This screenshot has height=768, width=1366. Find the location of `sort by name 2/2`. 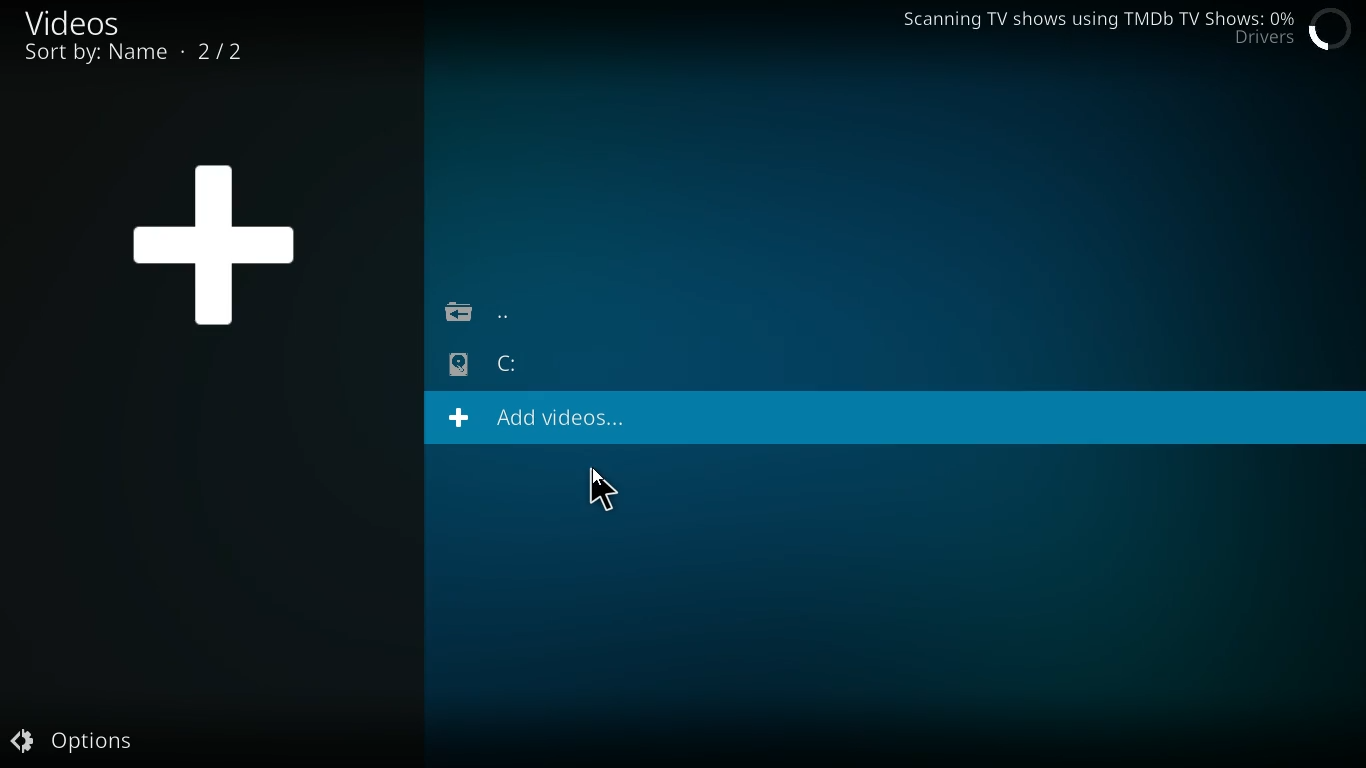

sort by name 2/2 is located at coordinates (133, 53).